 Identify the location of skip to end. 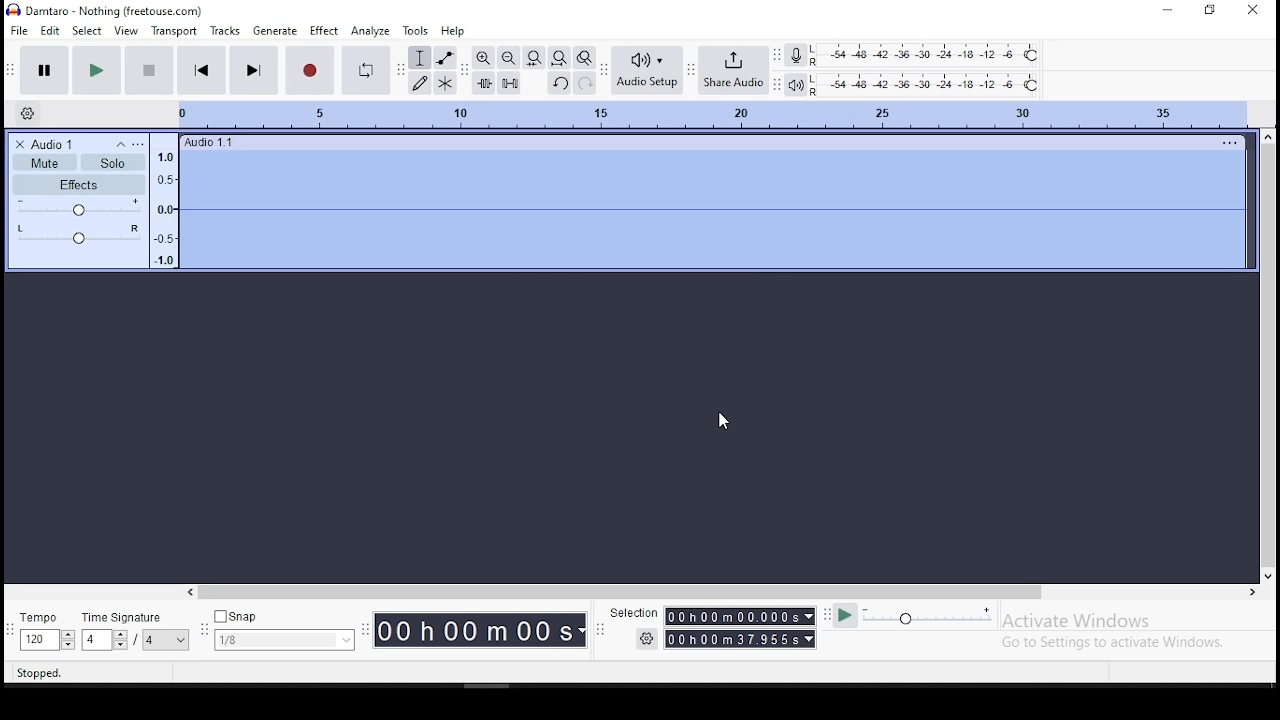
(254, 70).